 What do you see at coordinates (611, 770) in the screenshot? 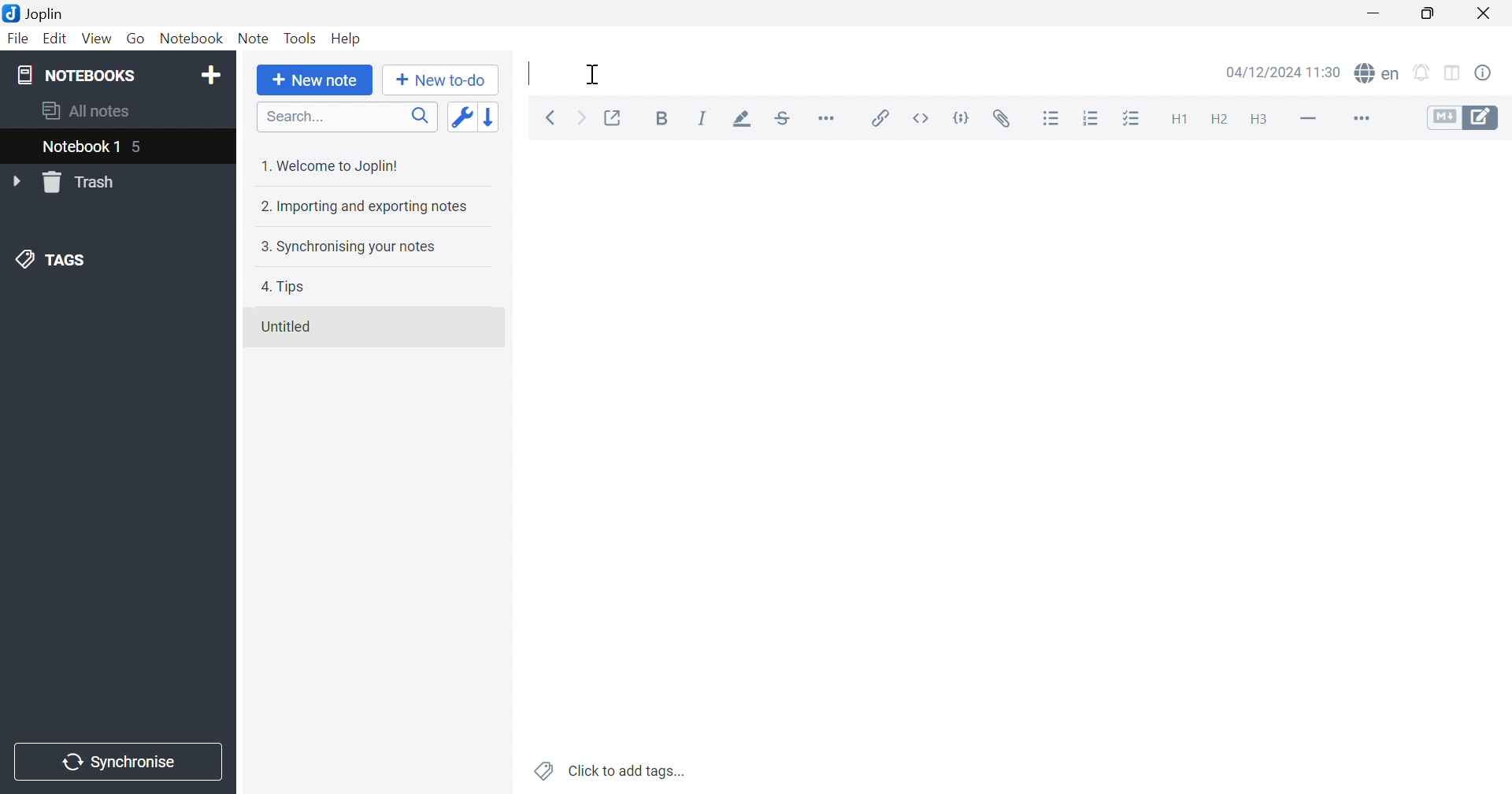
I see `Click to add tags...` at bounding box center [611, 770].